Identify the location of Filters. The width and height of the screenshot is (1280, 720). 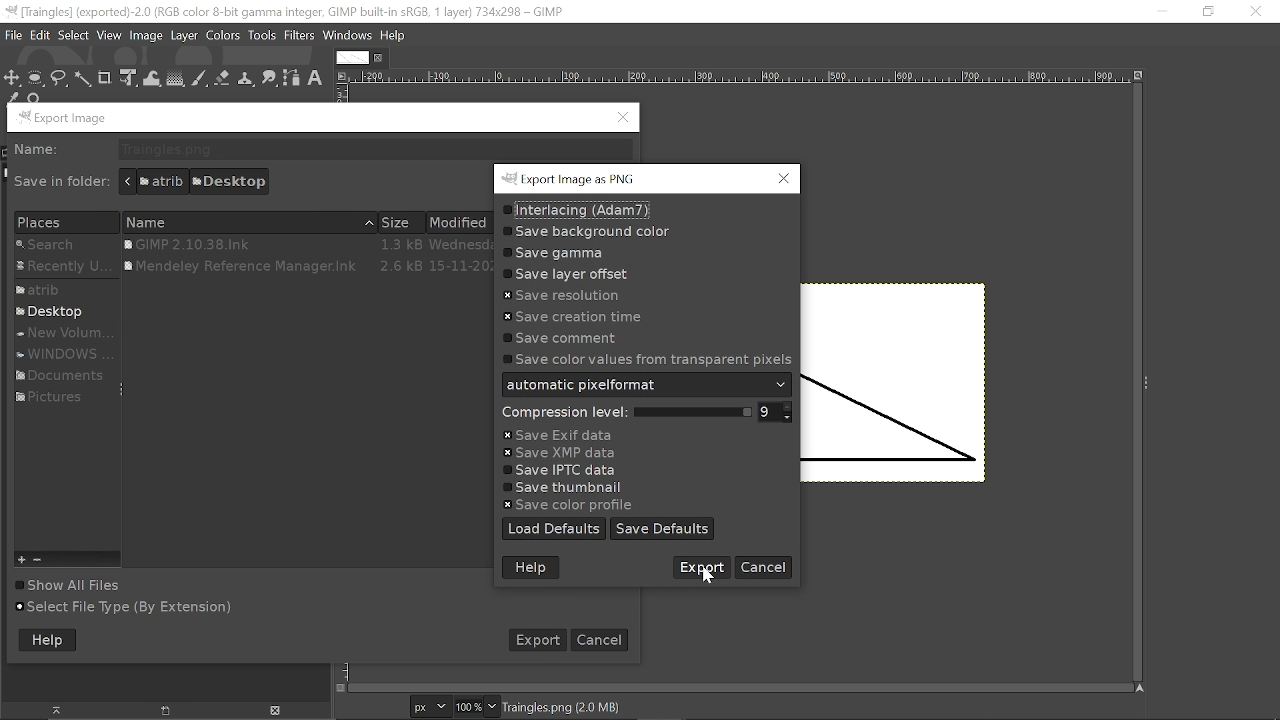
(300, 36).